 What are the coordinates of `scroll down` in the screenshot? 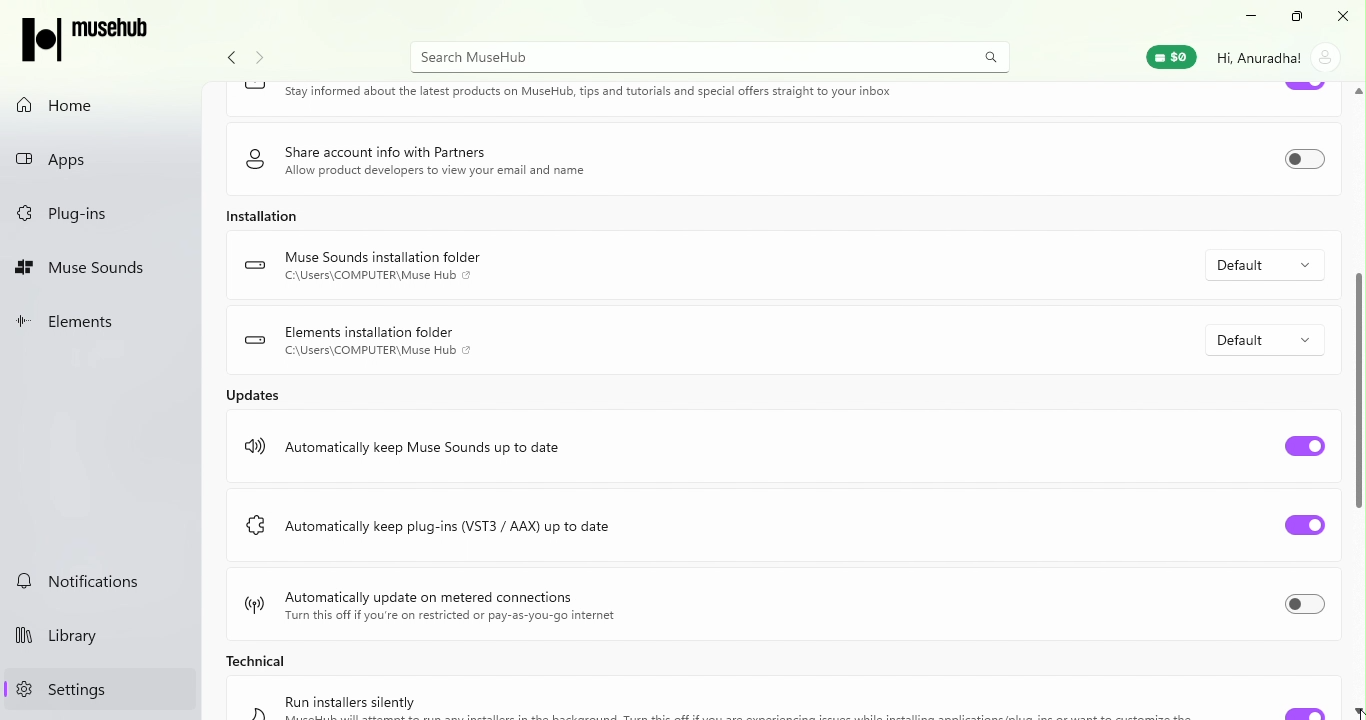 It's located at (1357, 709).